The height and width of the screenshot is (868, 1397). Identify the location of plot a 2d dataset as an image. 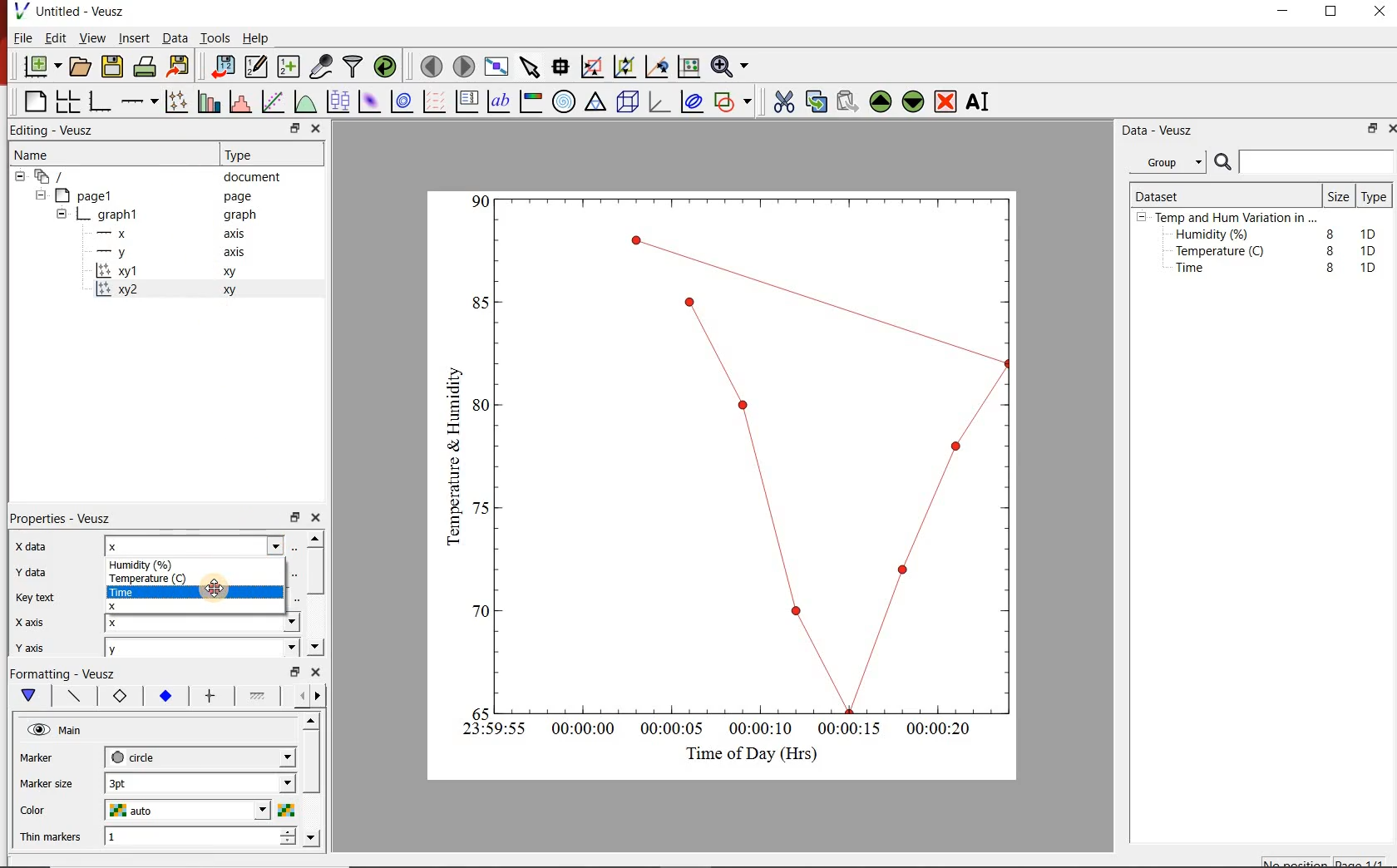
(370, 102).